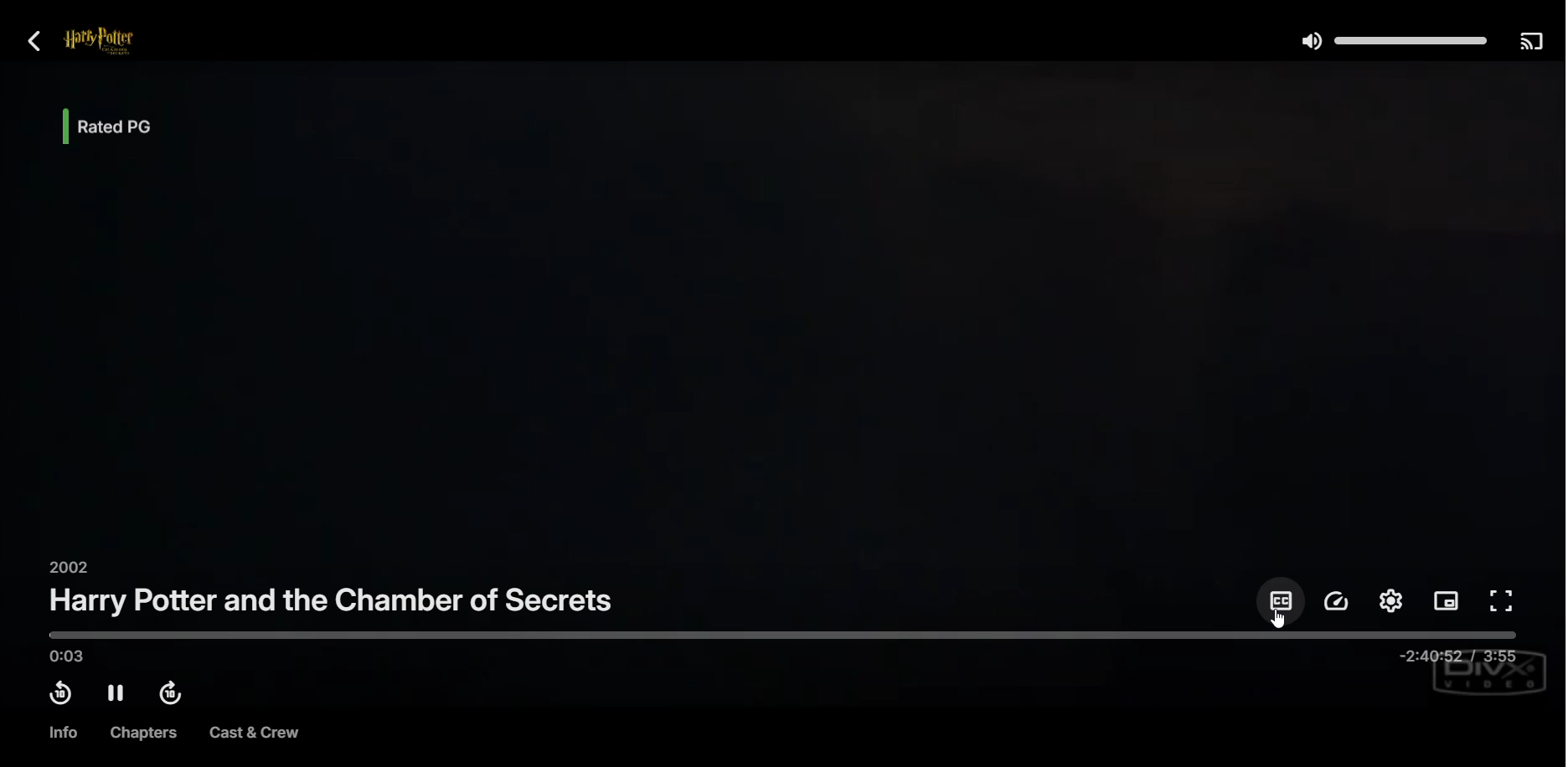 This screenshot has width=1568, height=767. What do you see at coordinates (65, 566) in the screenshot?
I see `2002` at bounding box center [65, 566].